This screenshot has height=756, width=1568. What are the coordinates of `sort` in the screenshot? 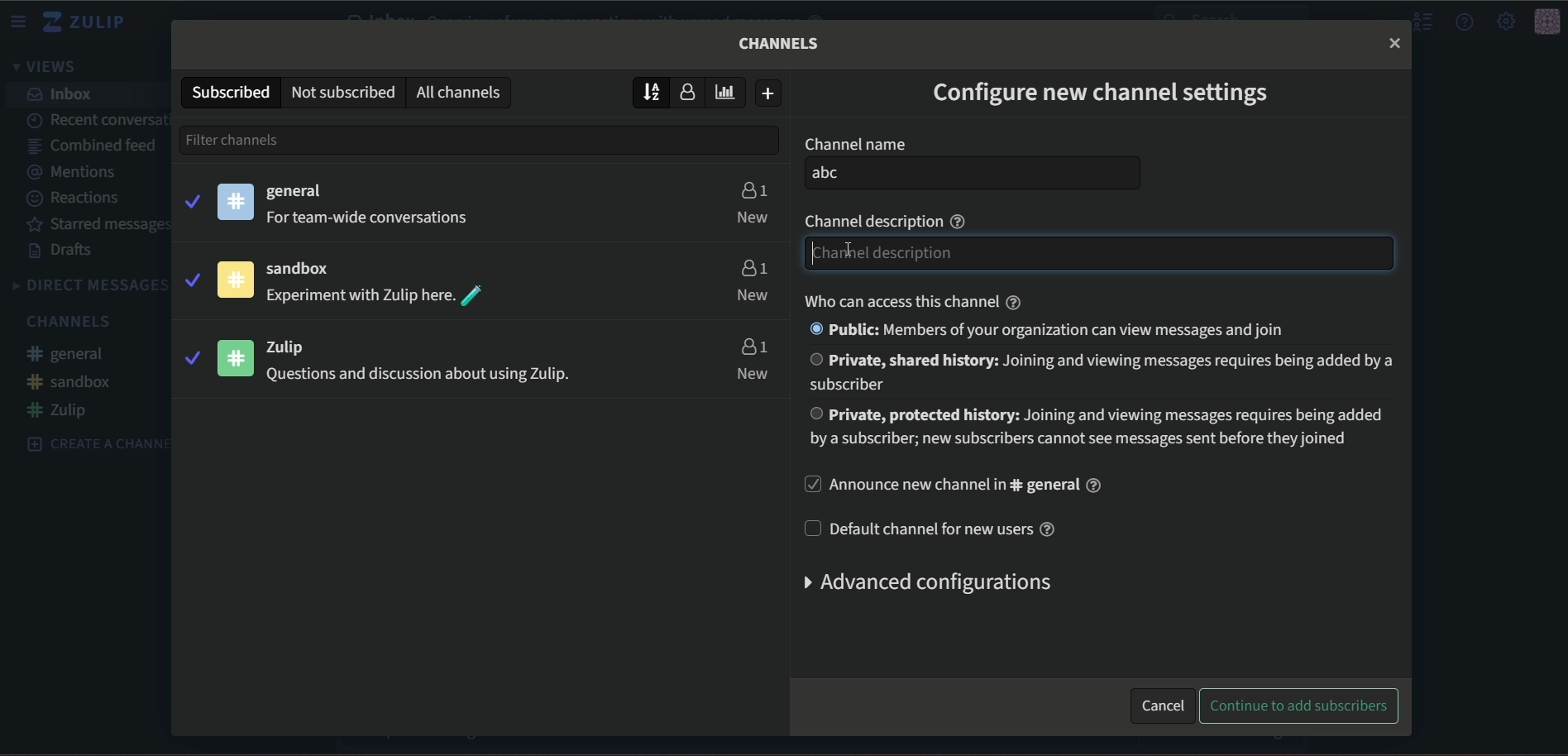 It's located at (652, 91).